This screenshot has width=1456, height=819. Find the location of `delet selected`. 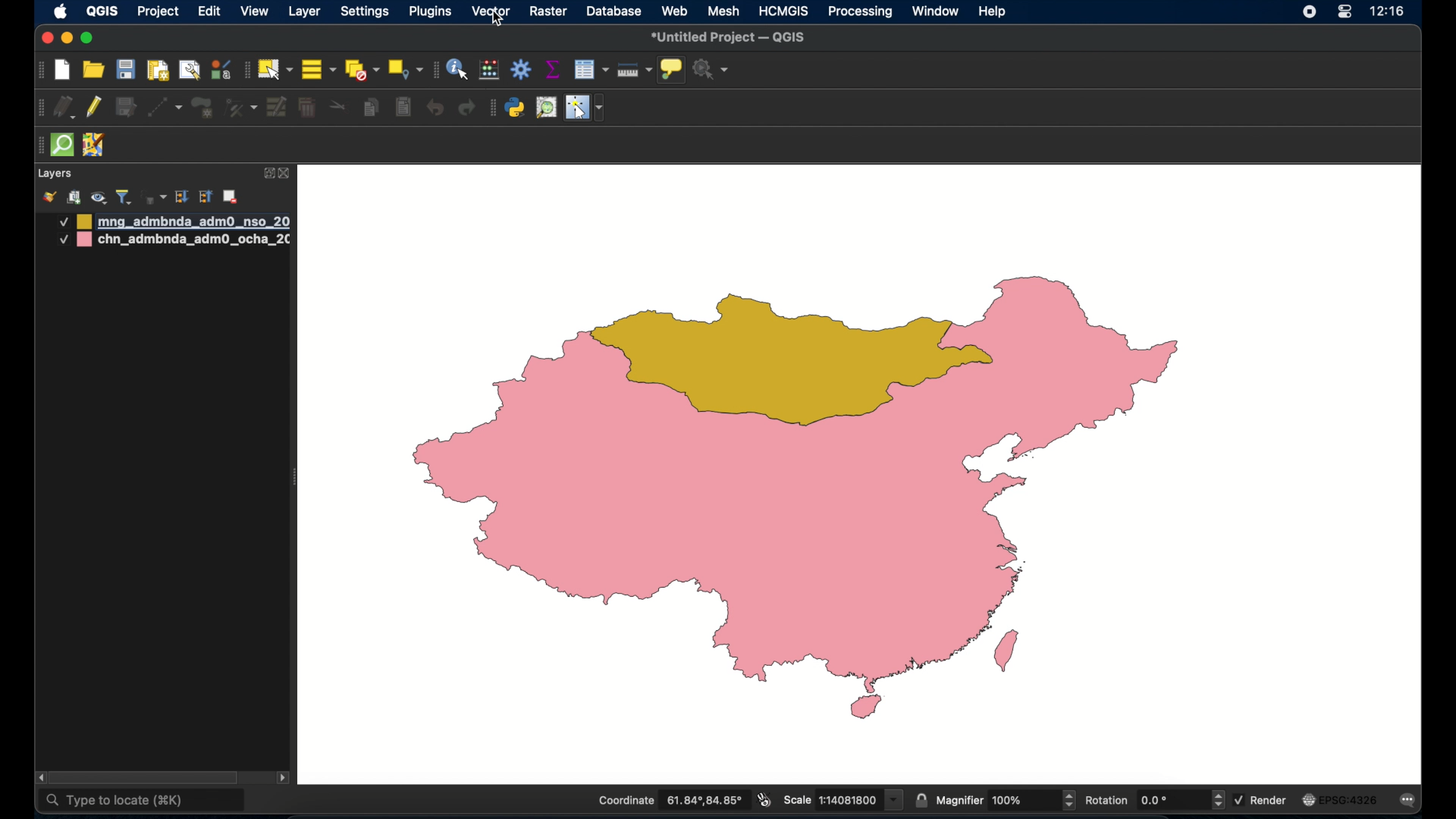

delet selected is located at coordinates (306, 108).